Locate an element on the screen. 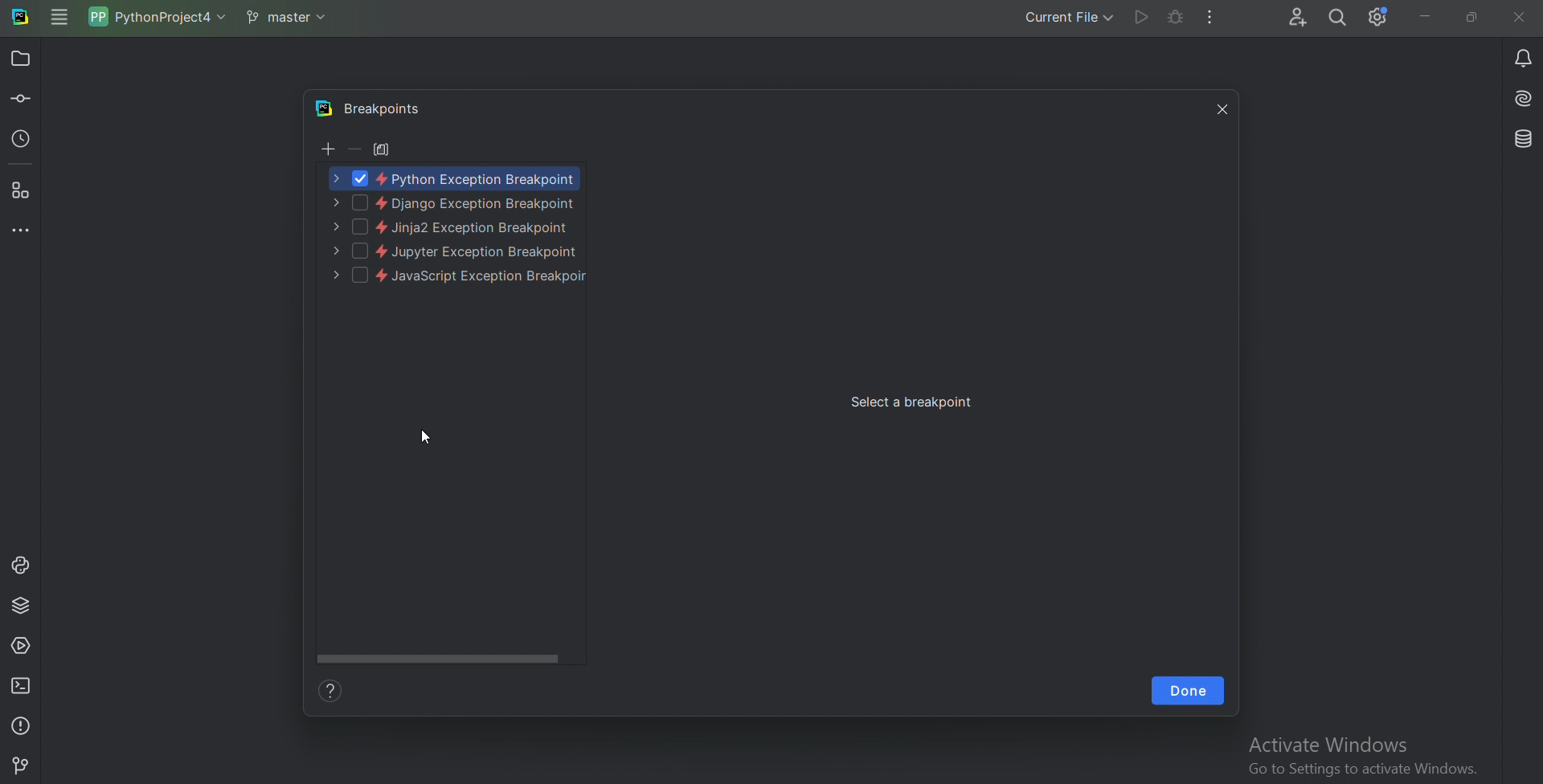 This screenshot has height=784, width=1543. Notification is located at coordinates (1520, 57).